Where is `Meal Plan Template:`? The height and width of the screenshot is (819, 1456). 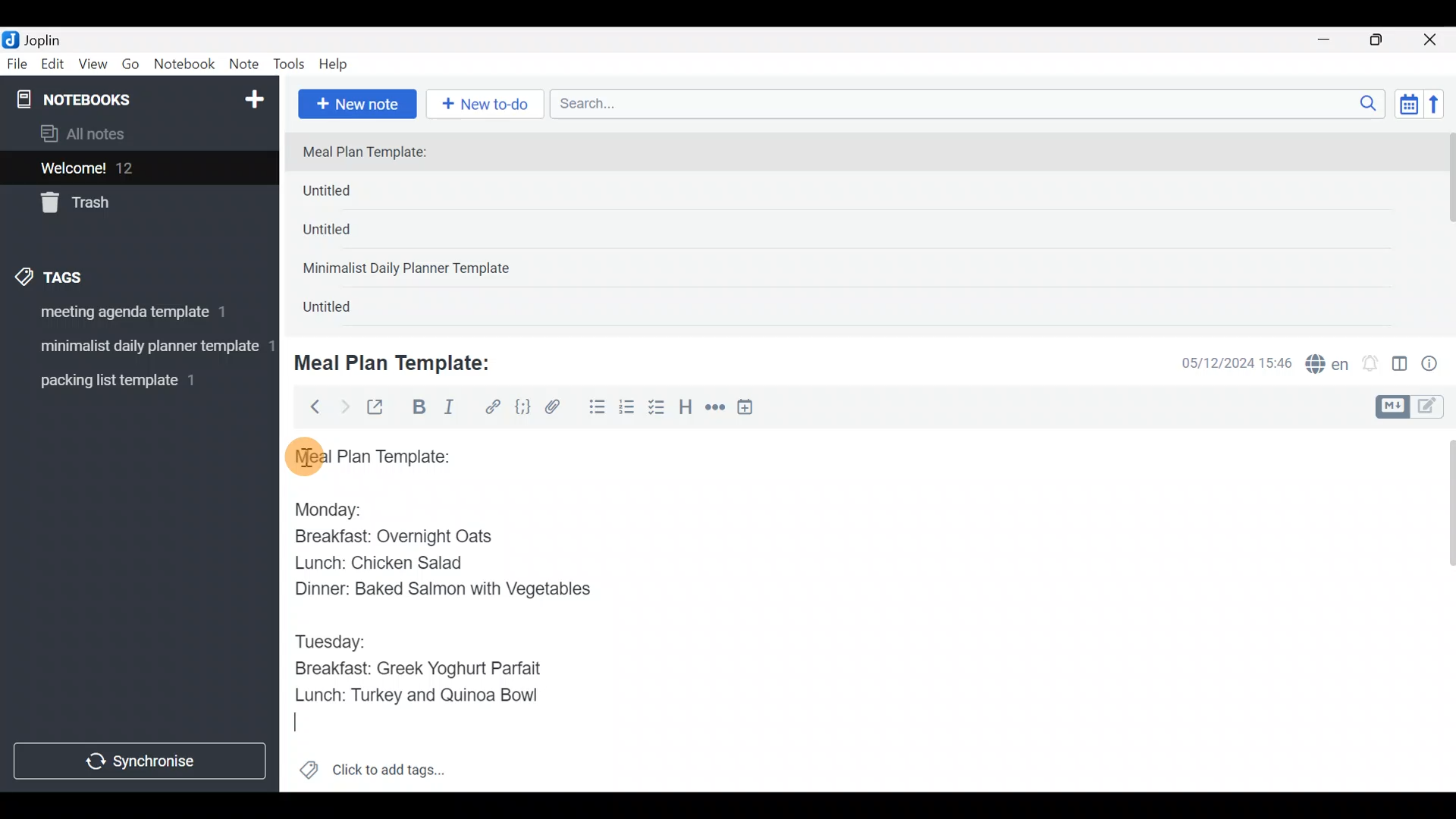 Meal Plan Template: is located at coordinates (402, 361).